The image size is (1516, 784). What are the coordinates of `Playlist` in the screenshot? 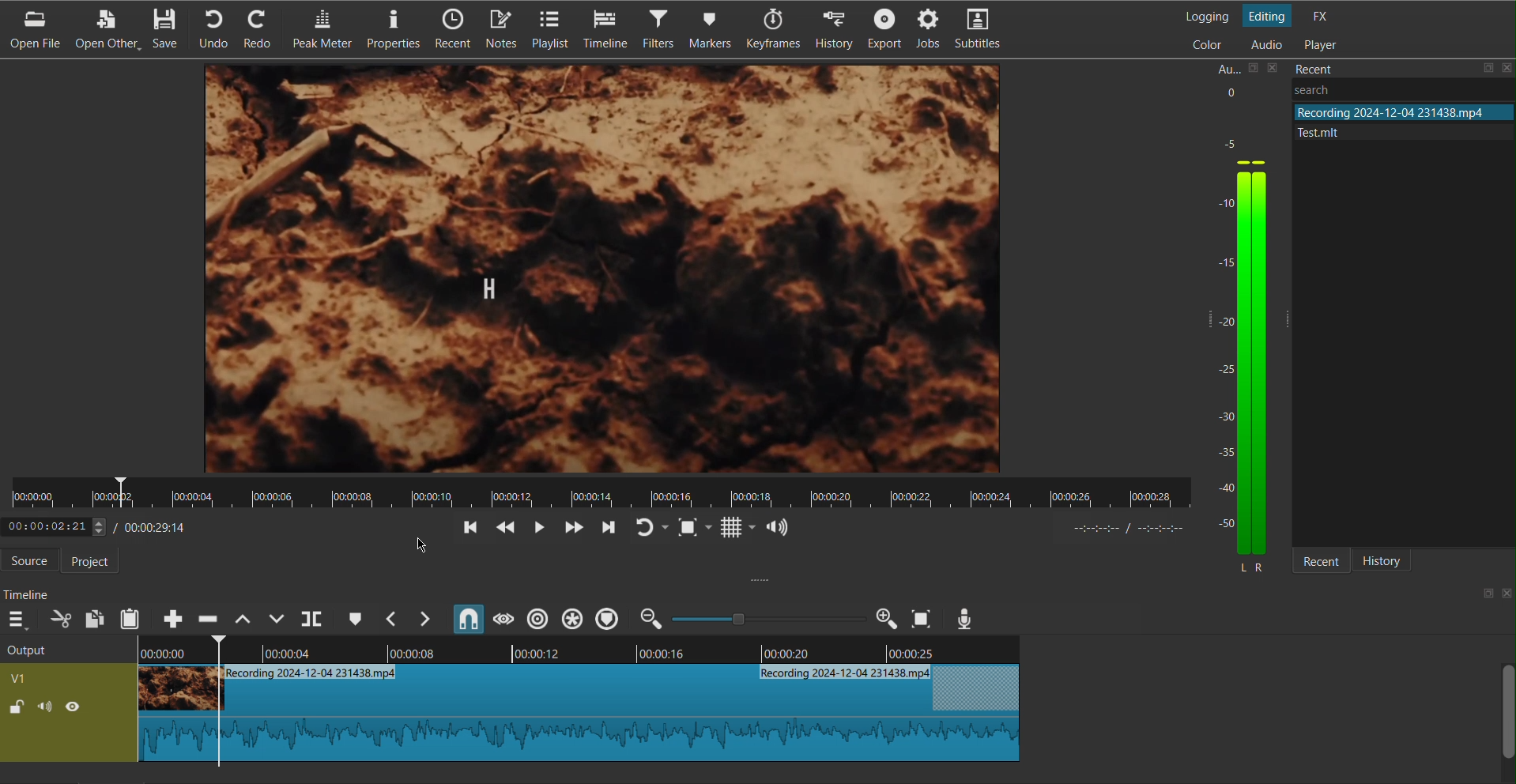 It's located at (555, 28).